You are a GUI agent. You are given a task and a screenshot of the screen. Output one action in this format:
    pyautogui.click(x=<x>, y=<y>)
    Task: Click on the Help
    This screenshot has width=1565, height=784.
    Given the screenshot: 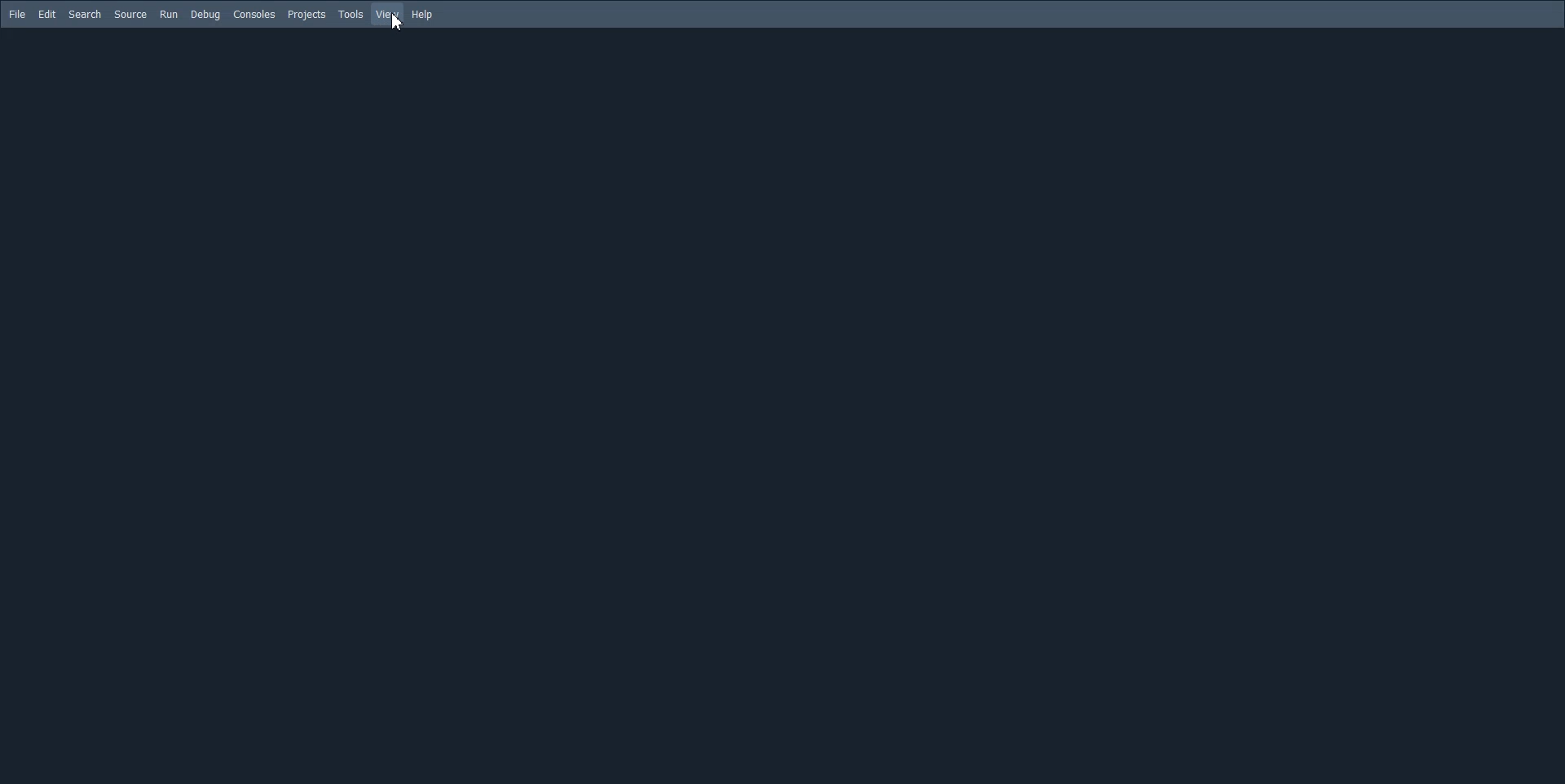 What is the action you would take?
    pyautogui.click(x=423, y=15)
    